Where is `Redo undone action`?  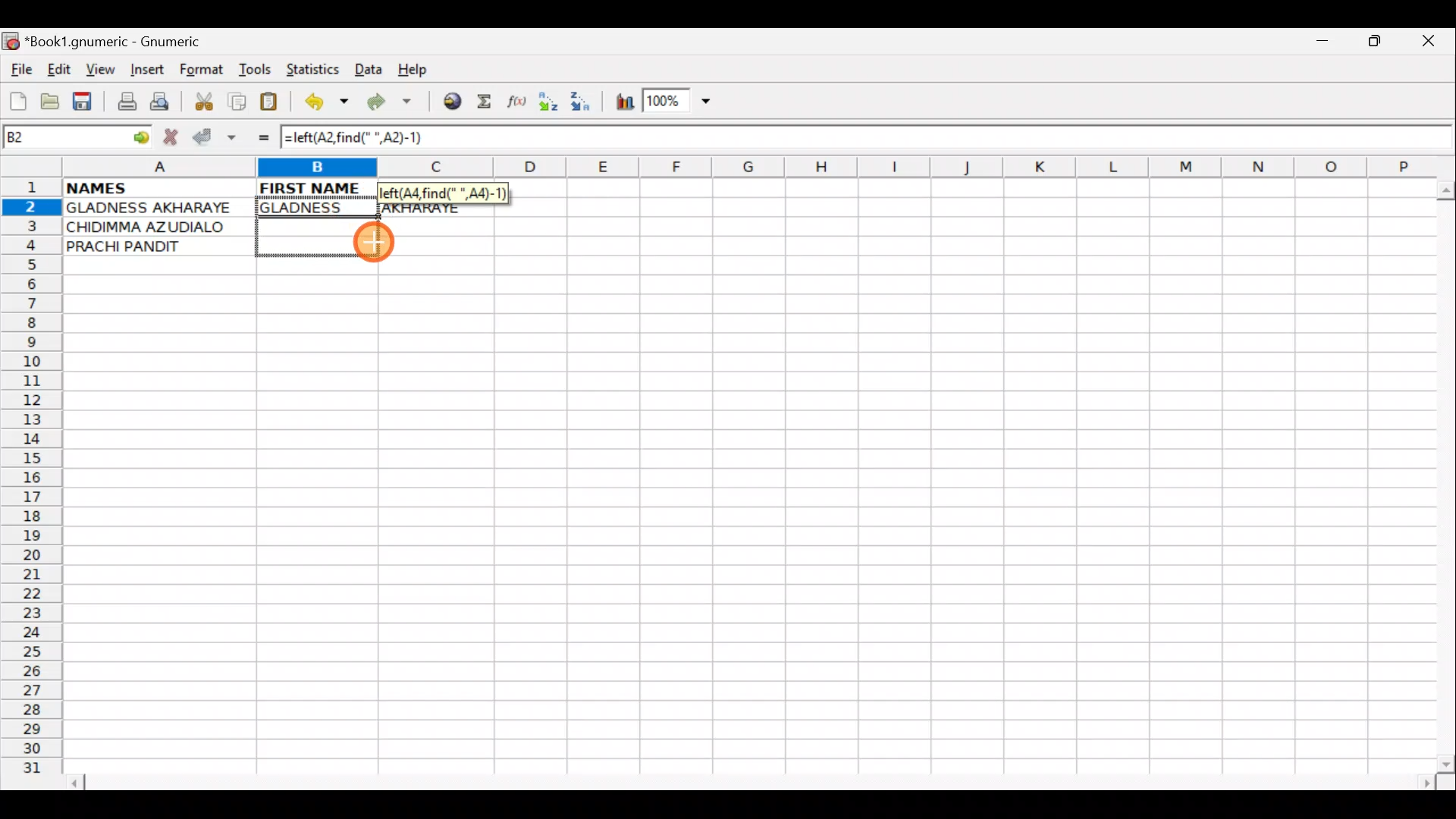
Redo undone action is located at coordinates (393, 104).